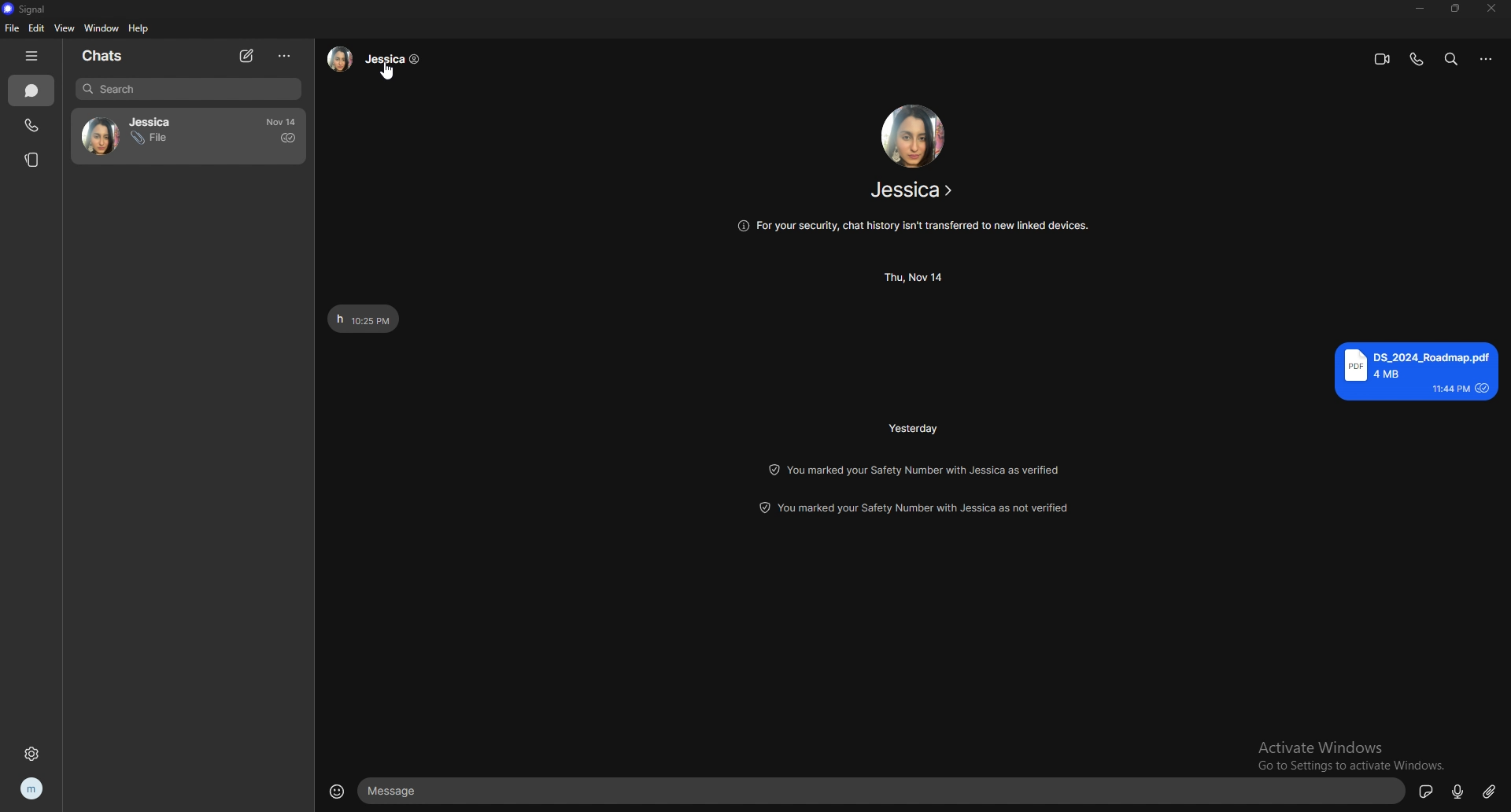 Image resolution: width=1511 pixels, height=812 pixels. I want to click on sent text, so click(1414, 371).